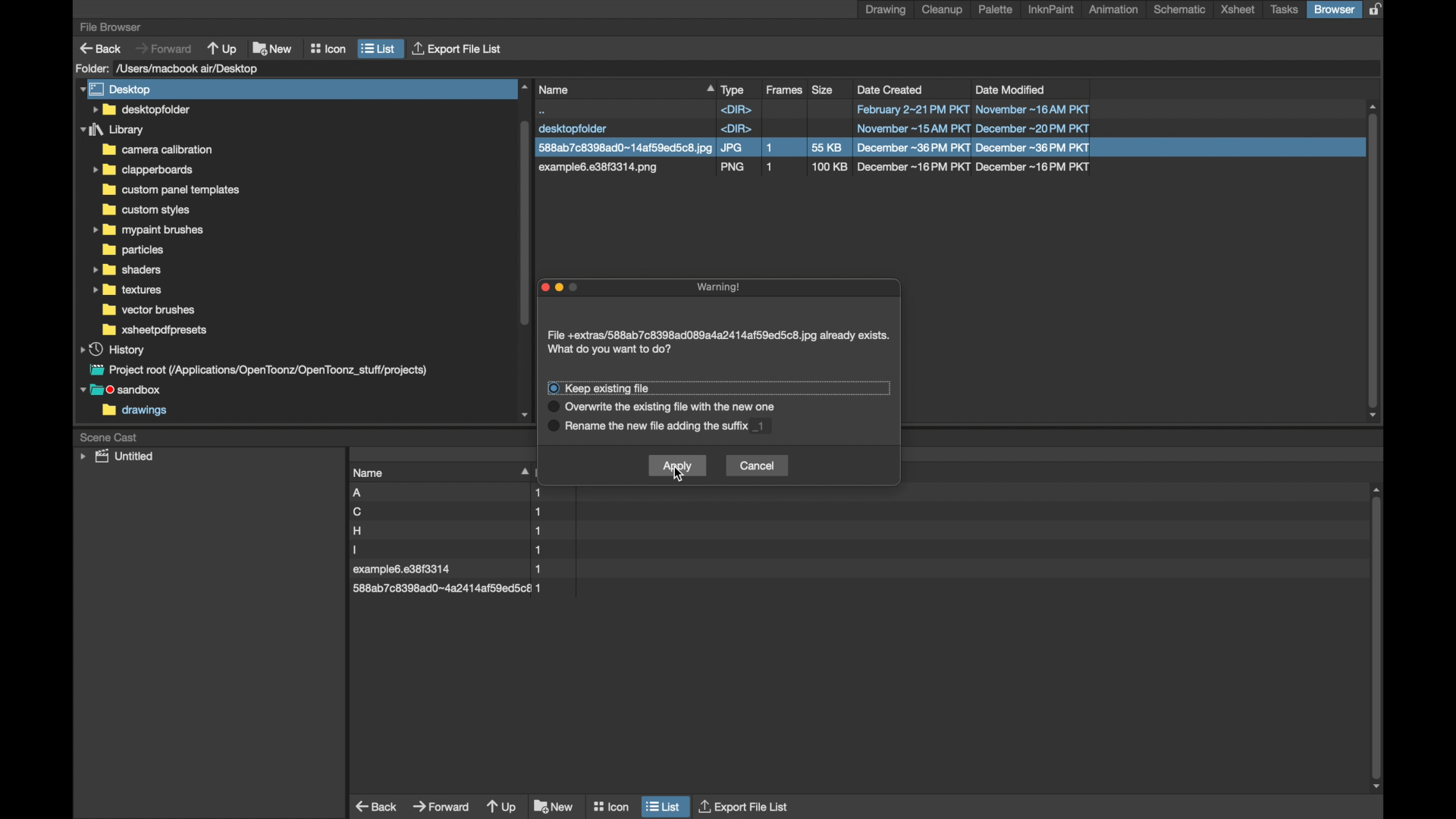  I want to click on file, so click(449, 512).